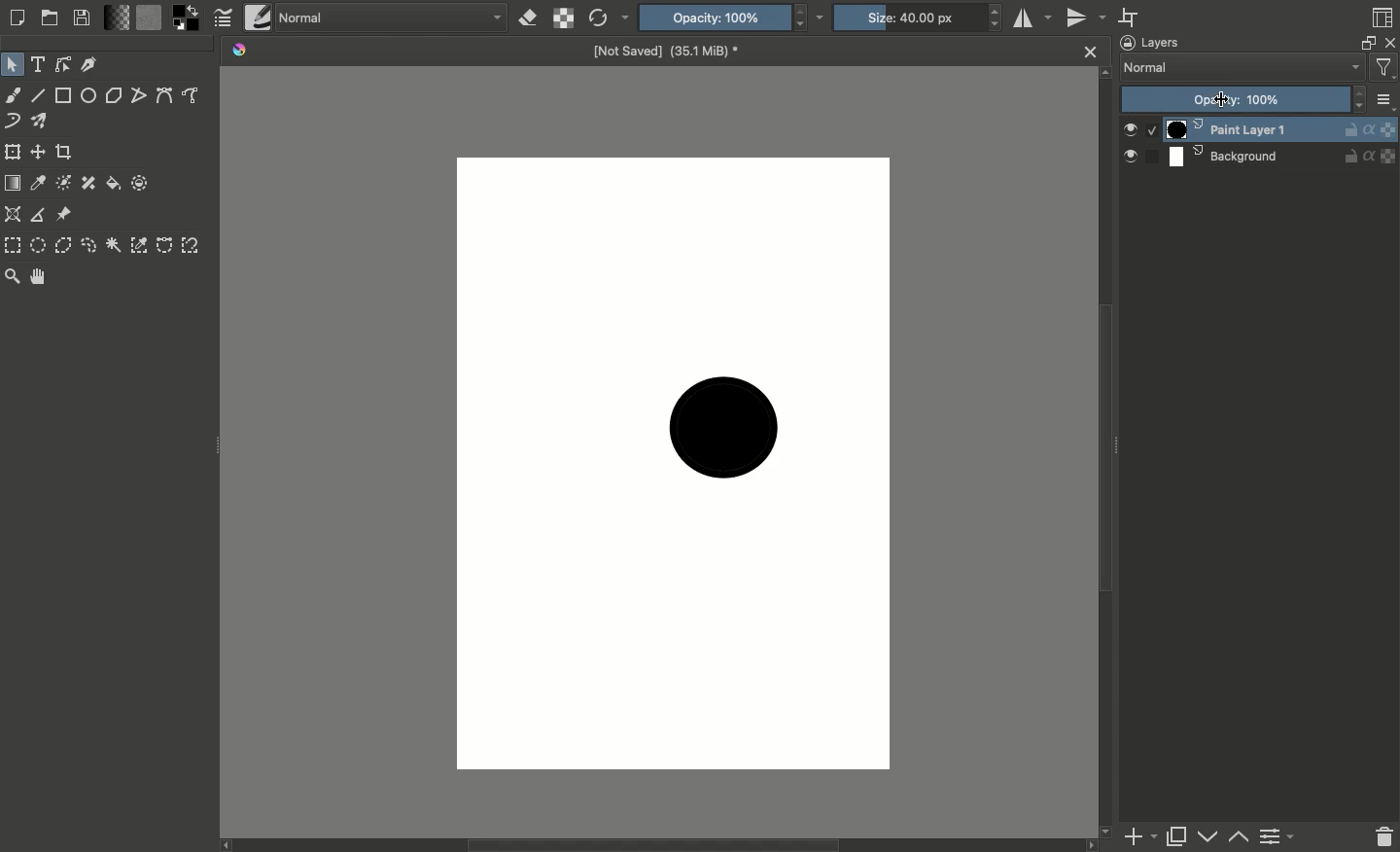  I want to click on Smart patch tool, so click(90, 185).